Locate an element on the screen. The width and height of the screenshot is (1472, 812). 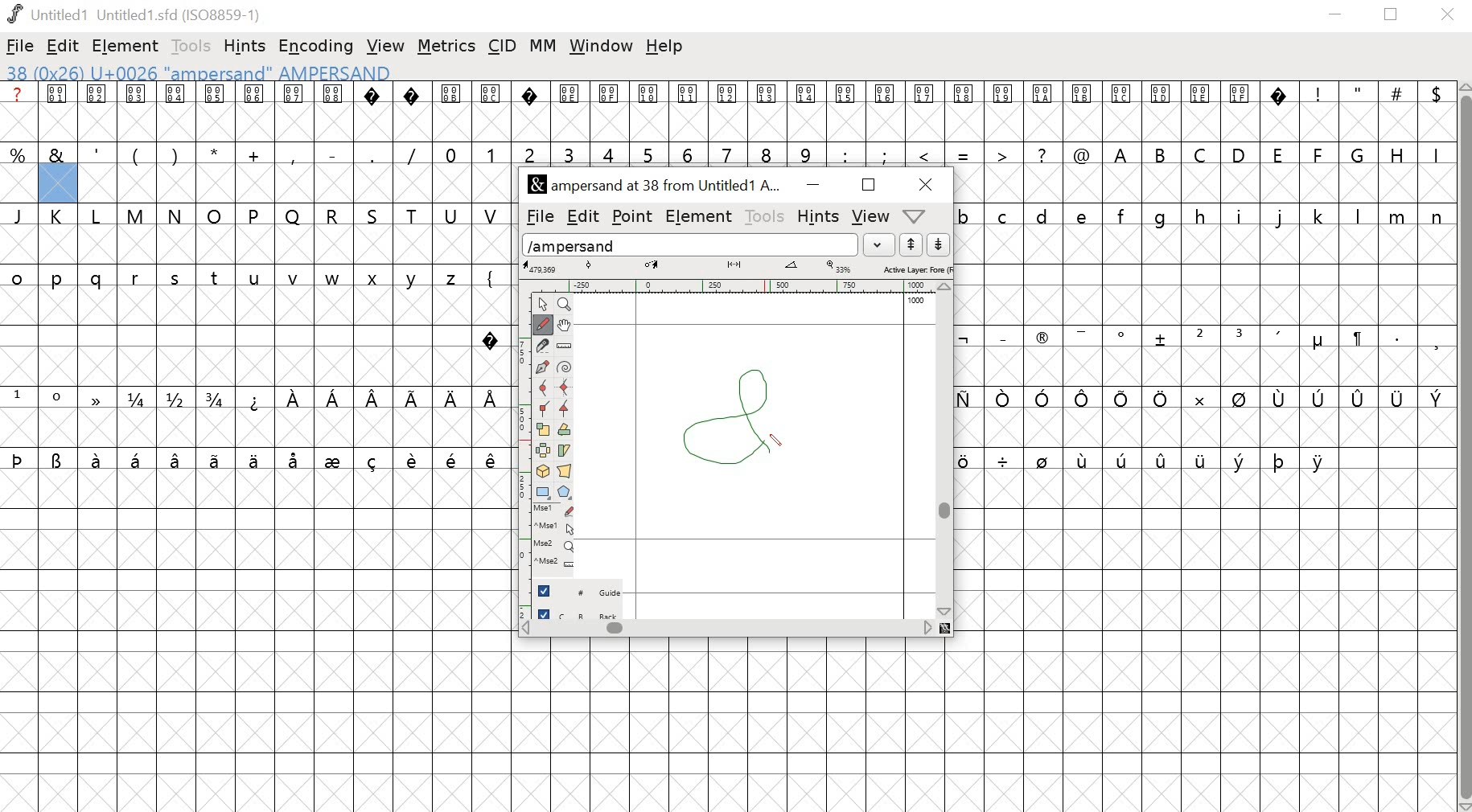
U is located at coordinates (452, 215).